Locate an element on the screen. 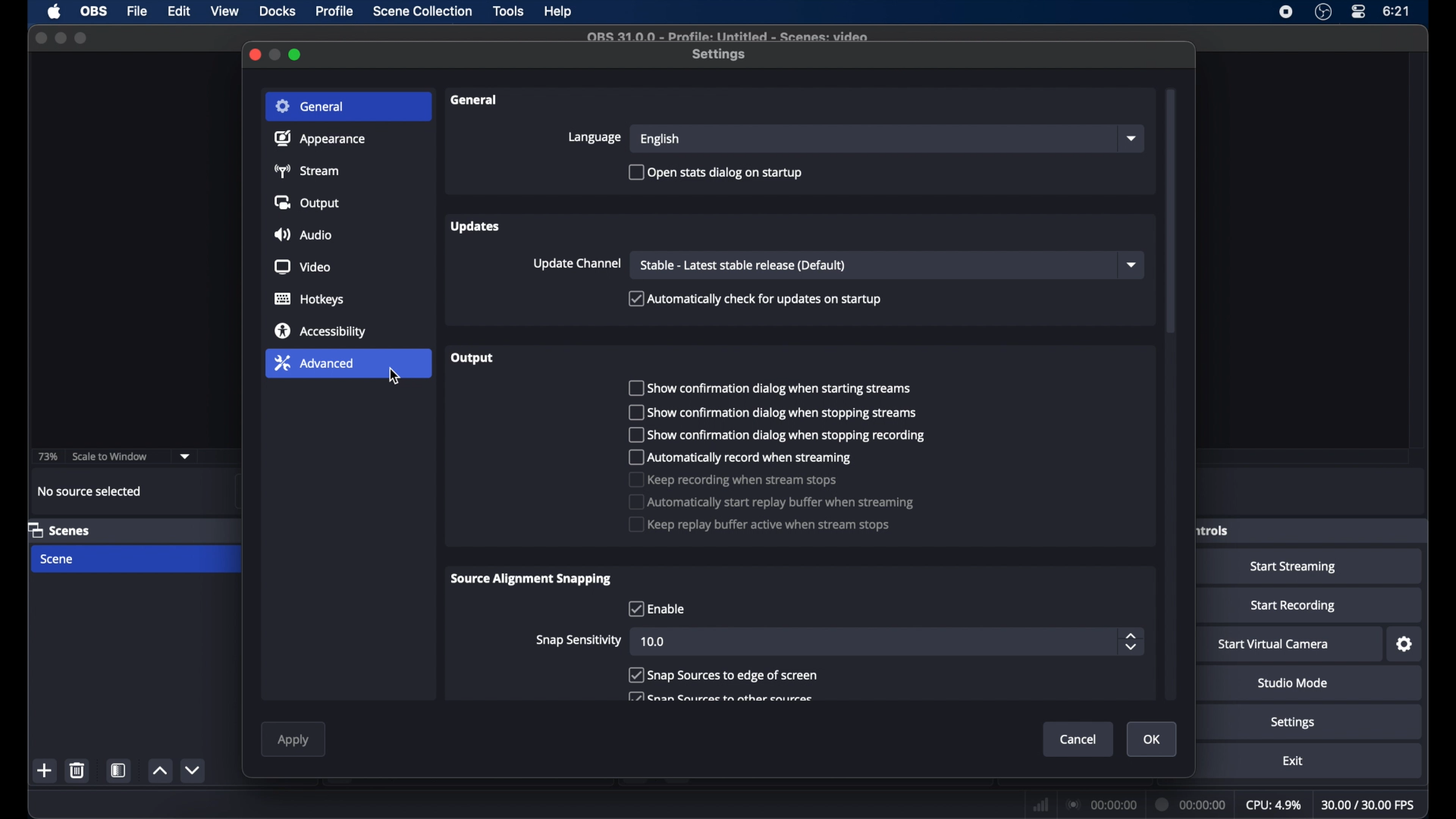  decrement is located at coordinates (195, 770).